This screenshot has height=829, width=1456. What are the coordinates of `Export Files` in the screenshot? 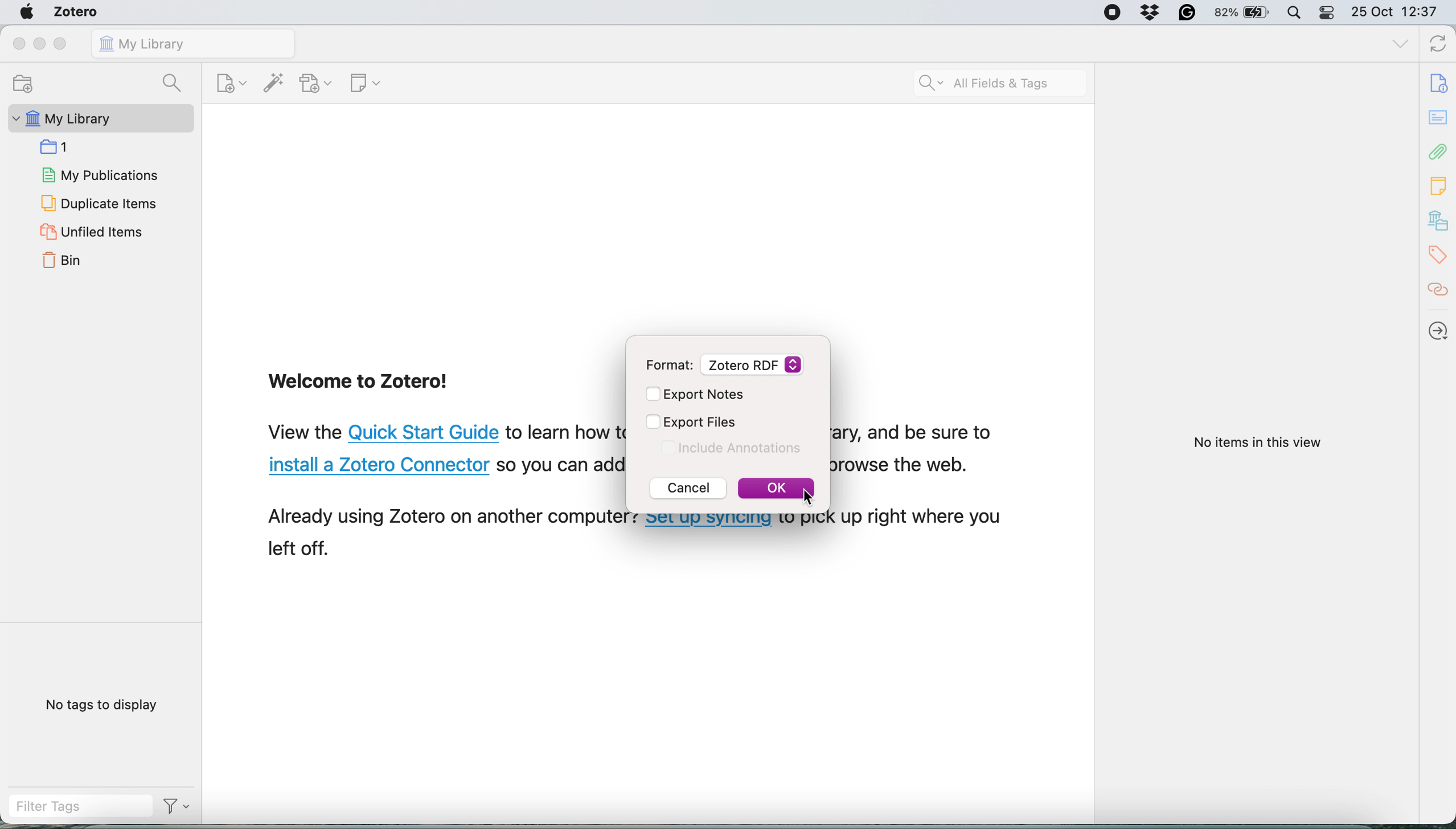 It's located at (726, 421).